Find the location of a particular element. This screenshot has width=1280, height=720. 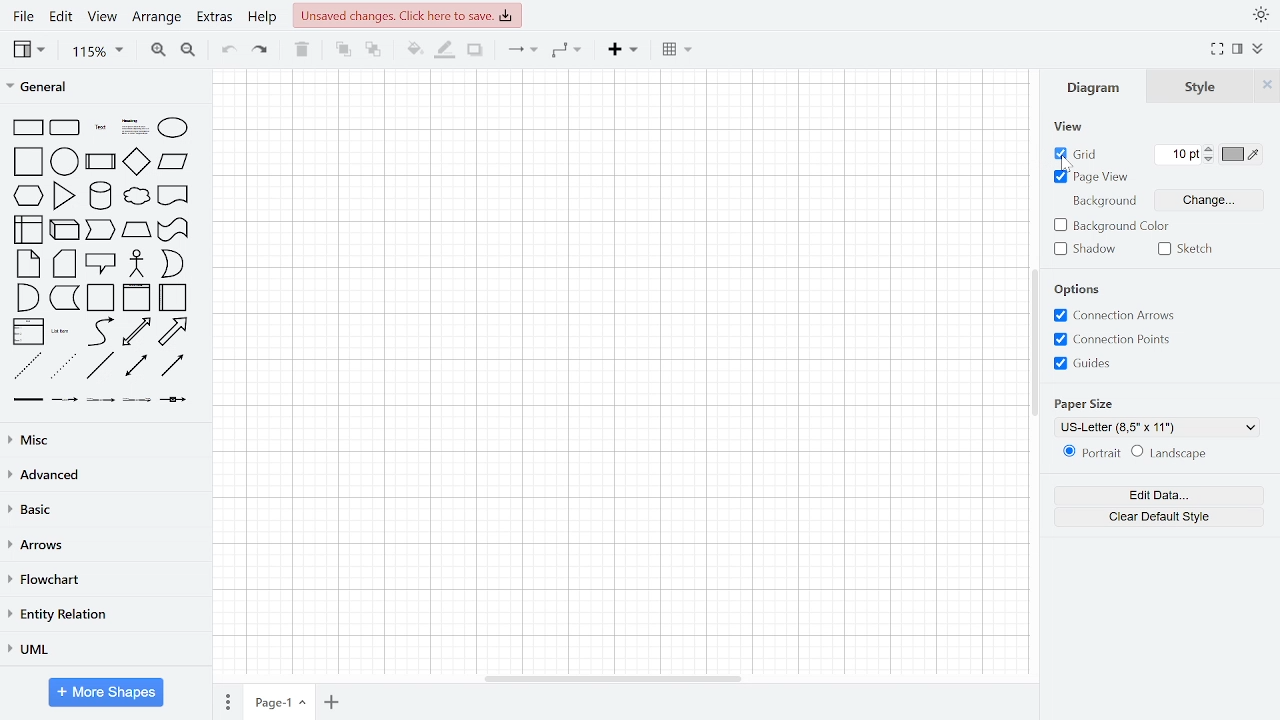

cube is located at coordinates (66, 229).